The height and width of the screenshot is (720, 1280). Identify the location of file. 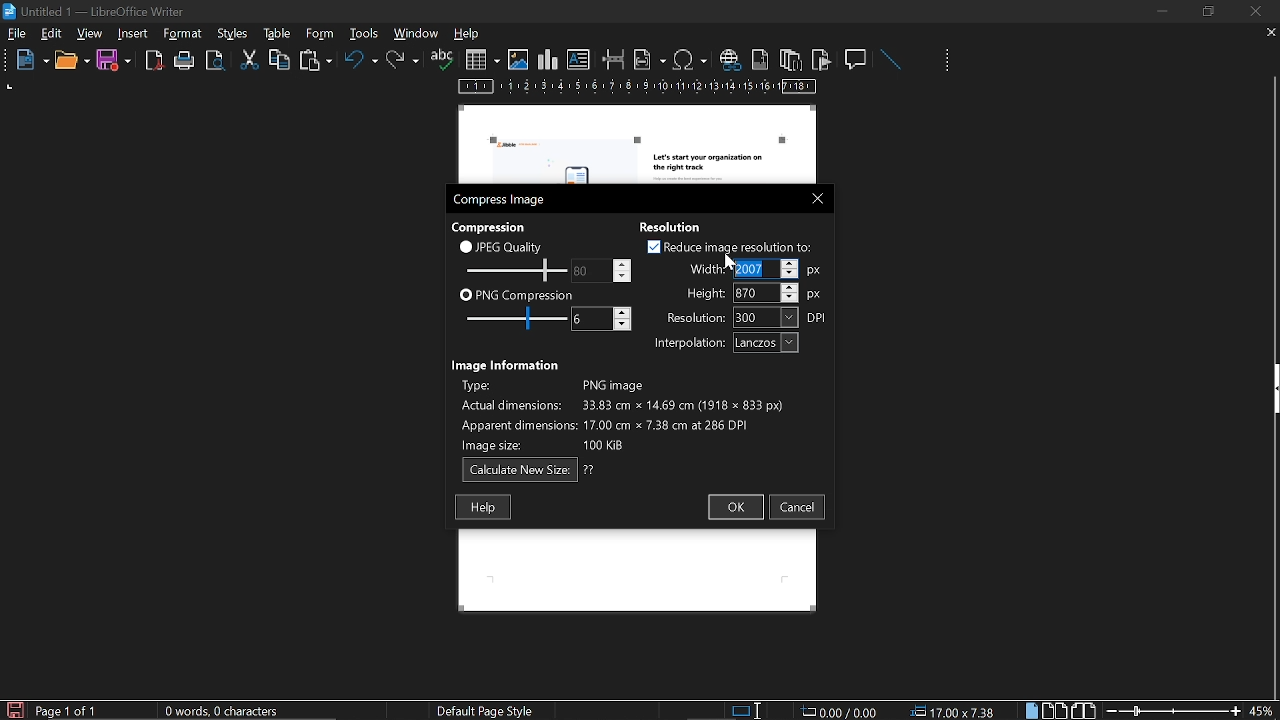
(17, 35).